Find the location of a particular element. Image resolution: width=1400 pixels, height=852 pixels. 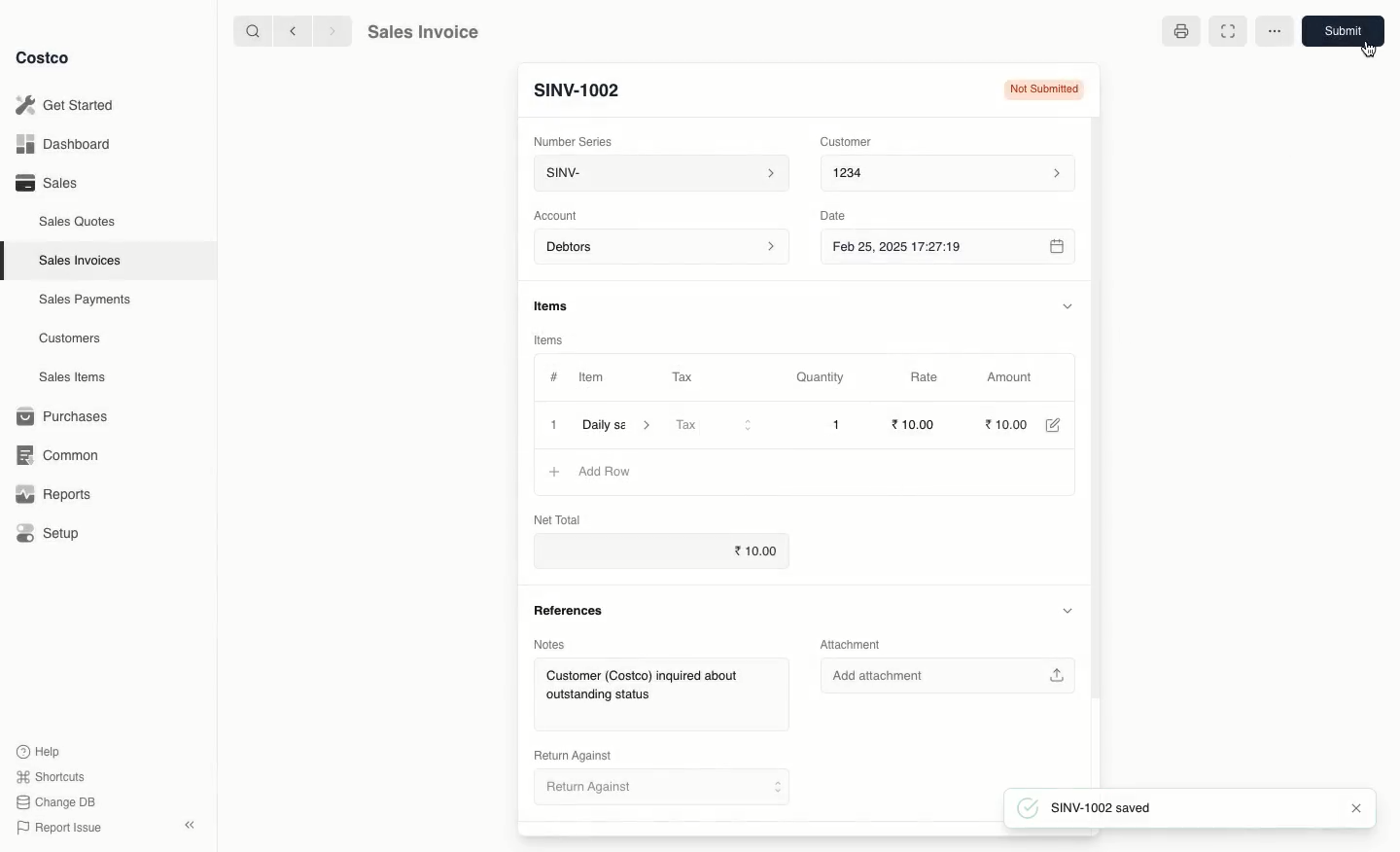

Customer (Costco) inquired about outstanding status is located at coordinates (661, 697).